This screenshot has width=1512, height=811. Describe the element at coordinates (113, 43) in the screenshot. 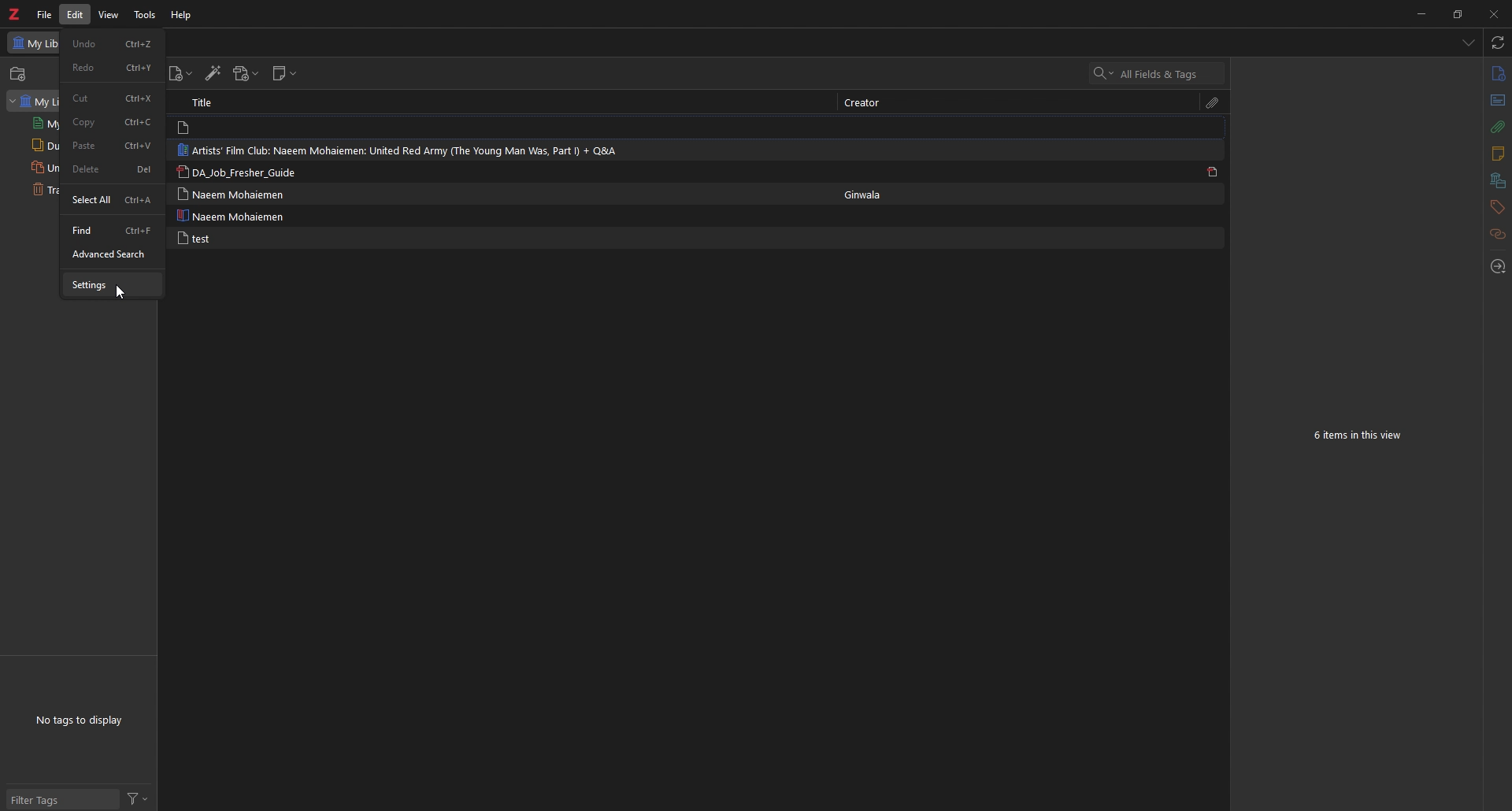

I see `Undo Ctrl+Z` at that location.